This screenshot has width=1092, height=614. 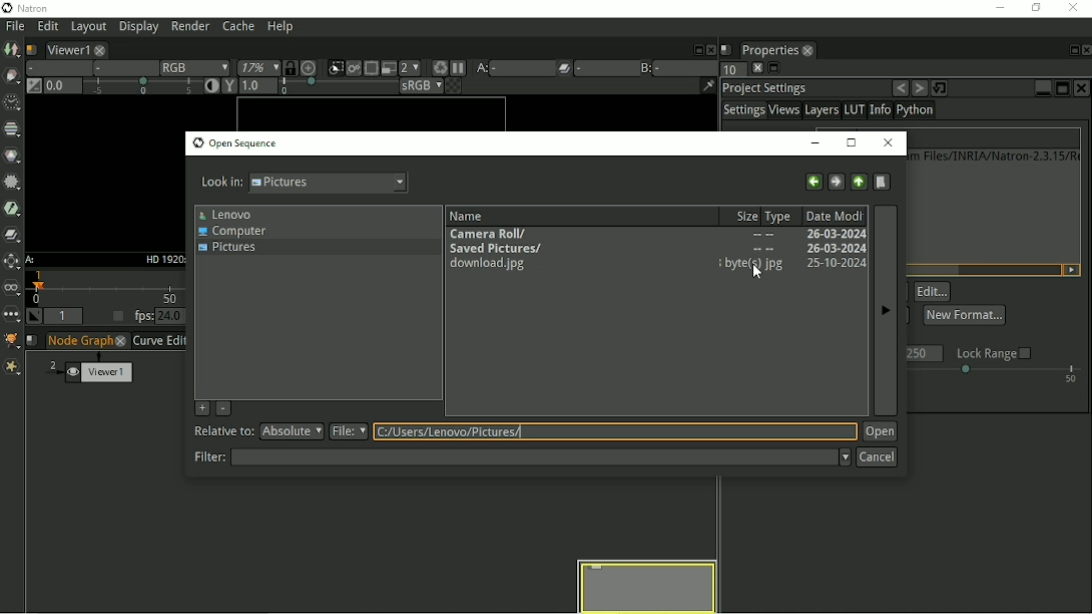 What do you see at coordinates (752, 264) in the screenshot?
I see `byte(s) jpg` at bounding box center [752, 264].